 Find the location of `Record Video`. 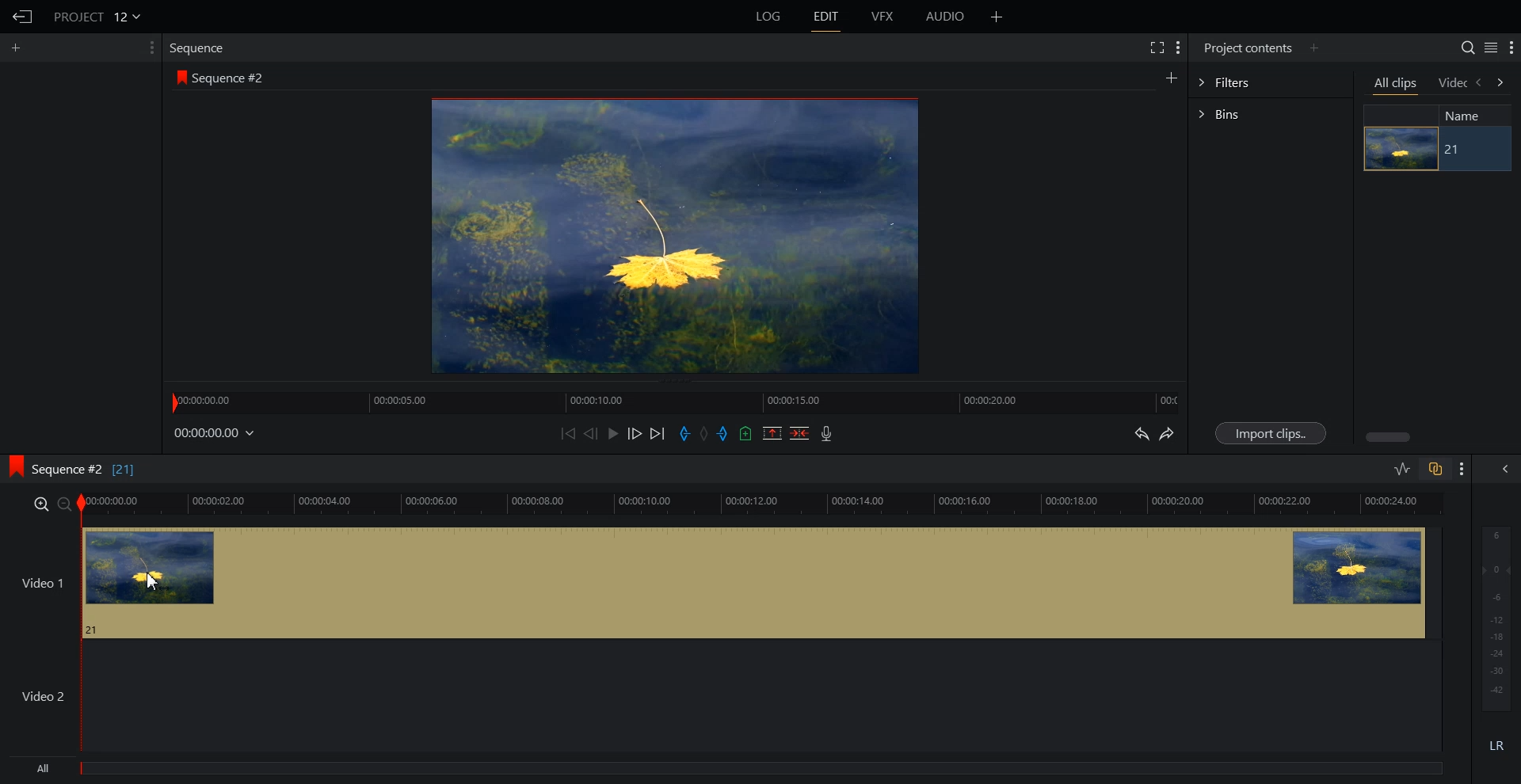

Record Video is located at coordinates (828, 435).